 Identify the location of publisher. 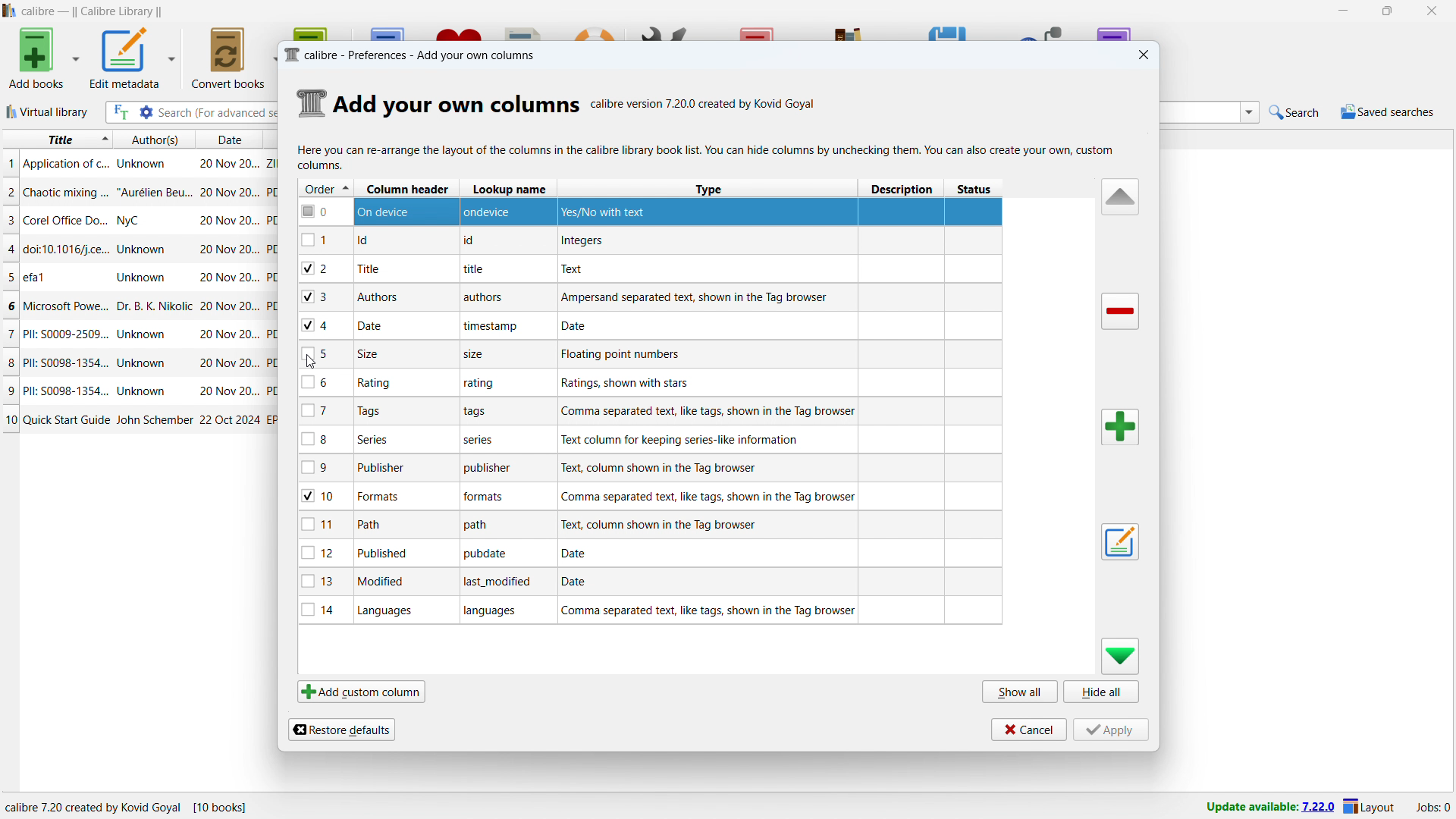
(485, 468).